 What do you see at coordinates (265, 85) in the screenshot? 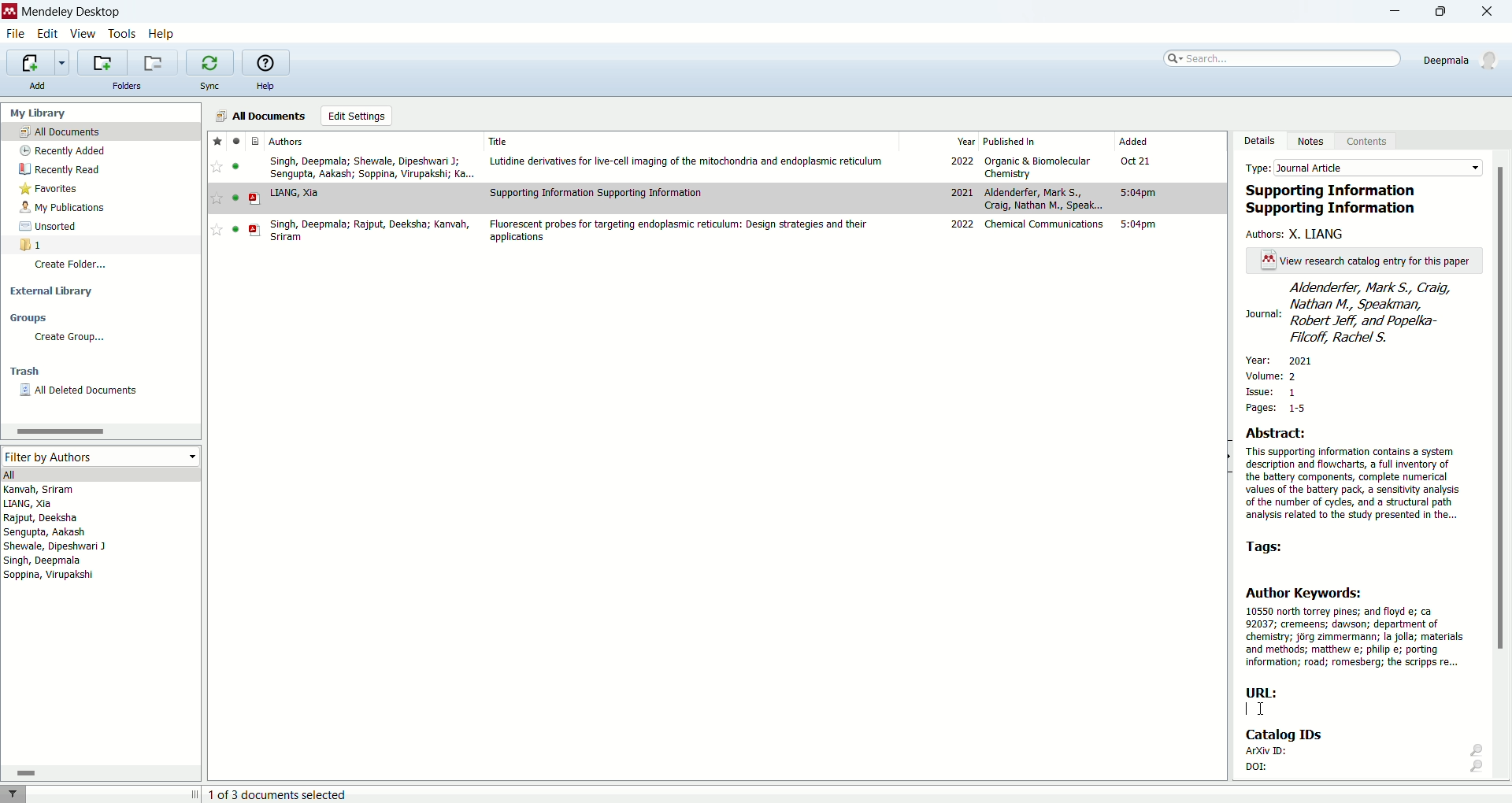
I see `help` at bounding box center [265, 85].